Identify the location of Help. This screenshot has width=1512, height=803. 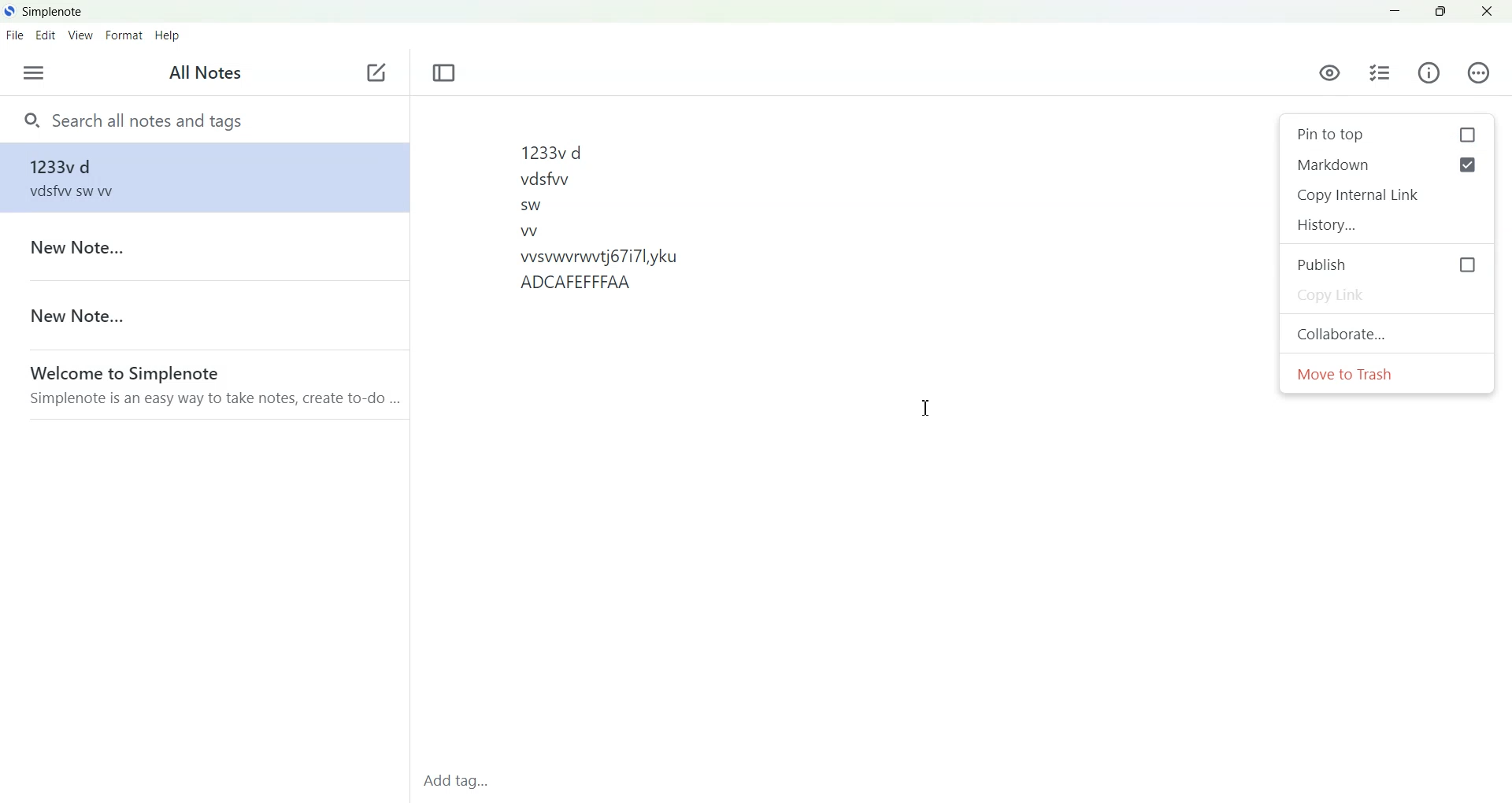
(168, 35).